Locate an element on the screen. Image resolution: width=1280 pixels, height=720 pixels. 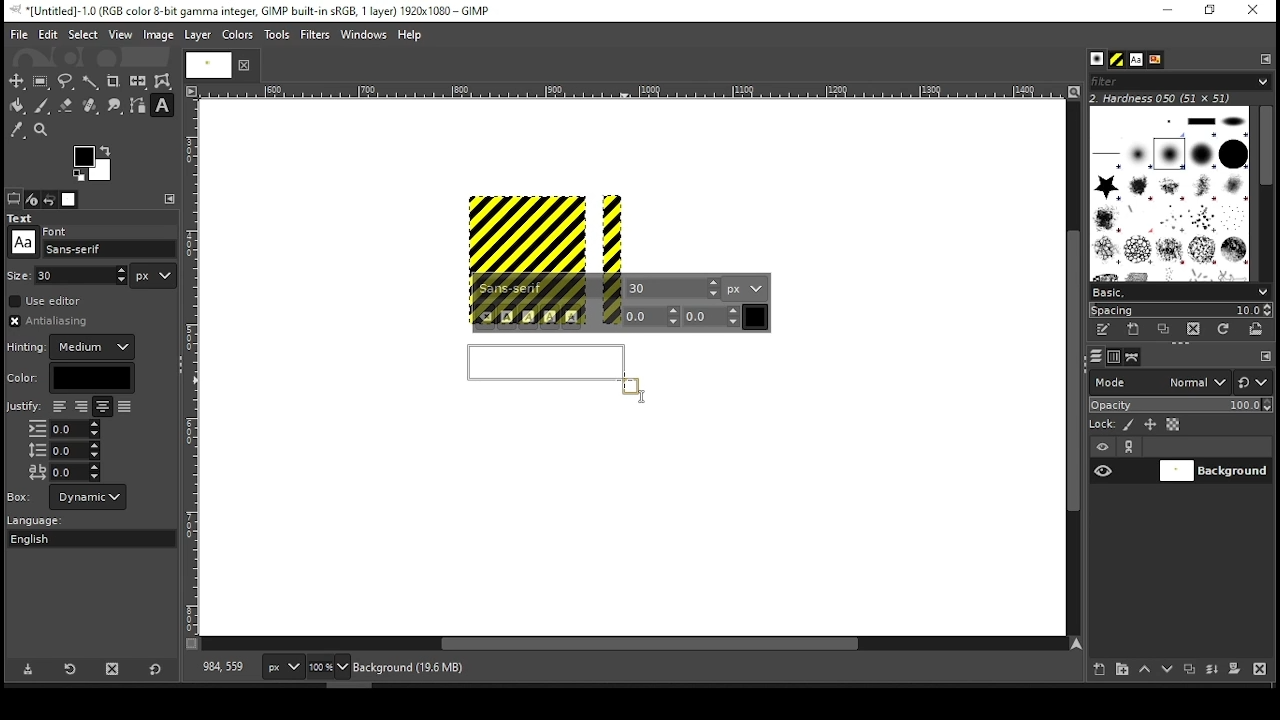
merge layer is located at coordinates (1212, 670).